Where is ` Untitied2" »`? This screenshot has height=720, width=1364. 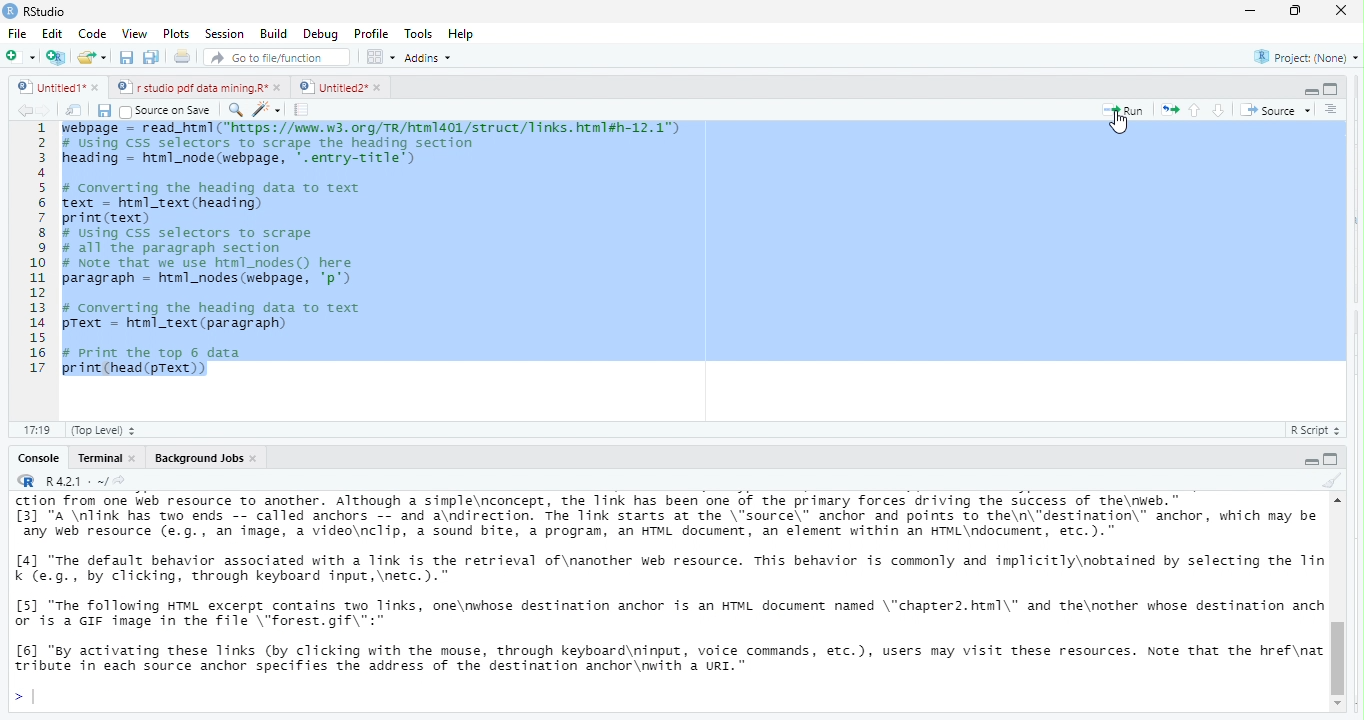  Untitied2" » is located at coordinates (337, 88).